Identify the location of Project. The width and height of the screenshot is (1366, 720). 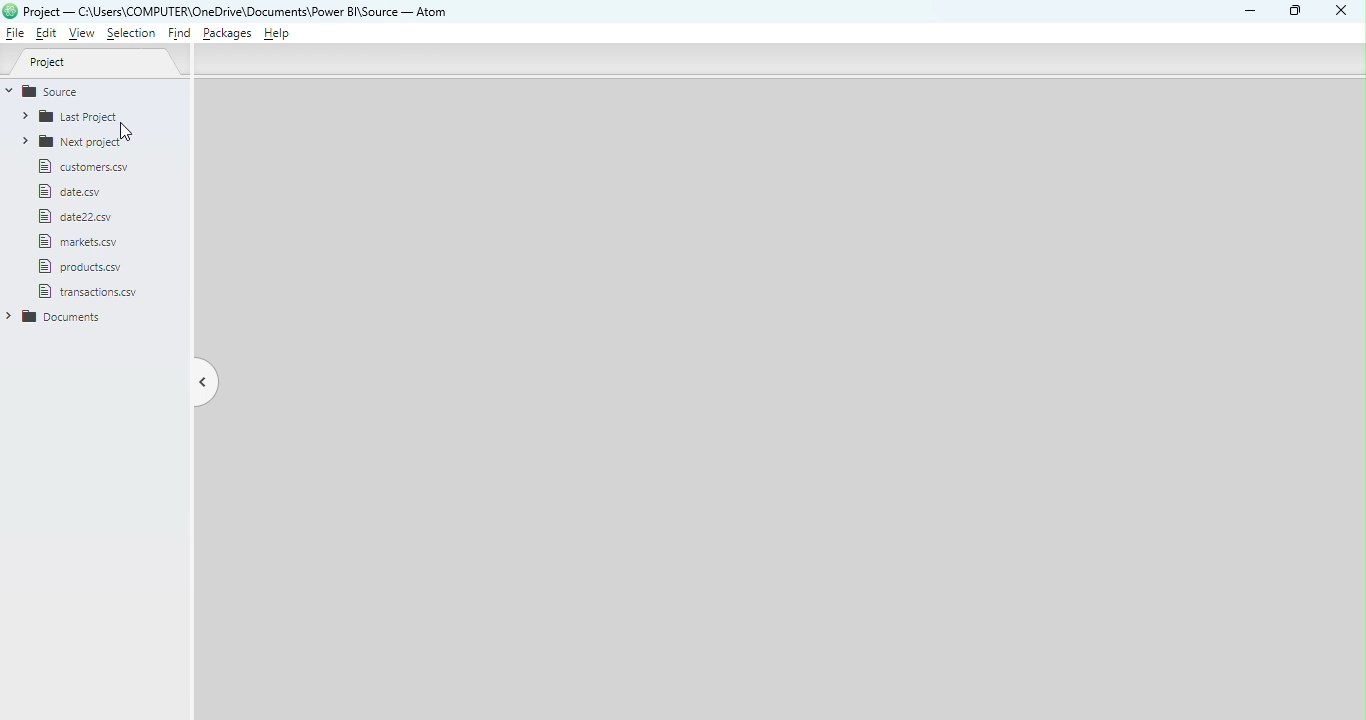
(94, 62).